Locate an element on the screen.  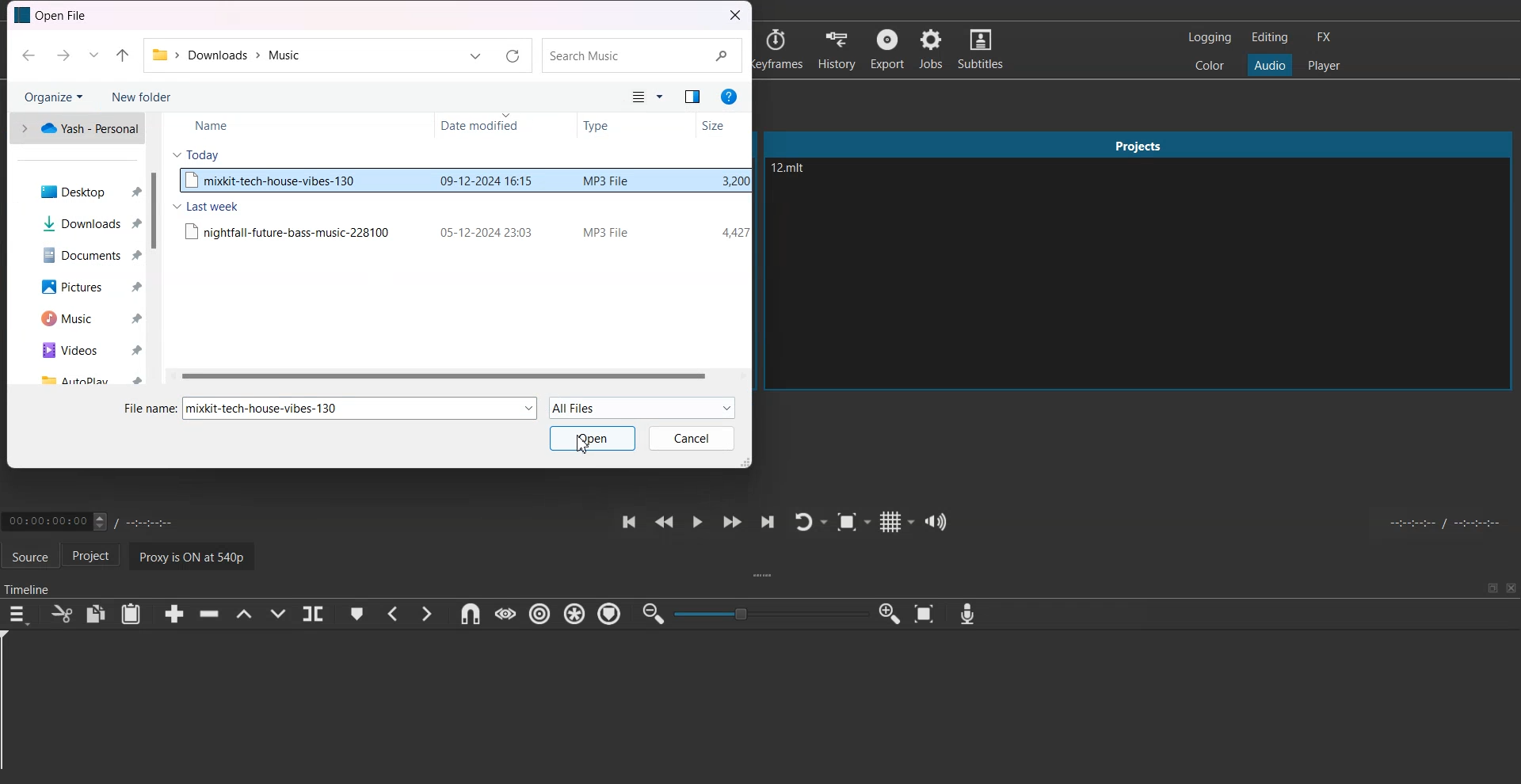
Previous marker is located at coordinates (392, 614).